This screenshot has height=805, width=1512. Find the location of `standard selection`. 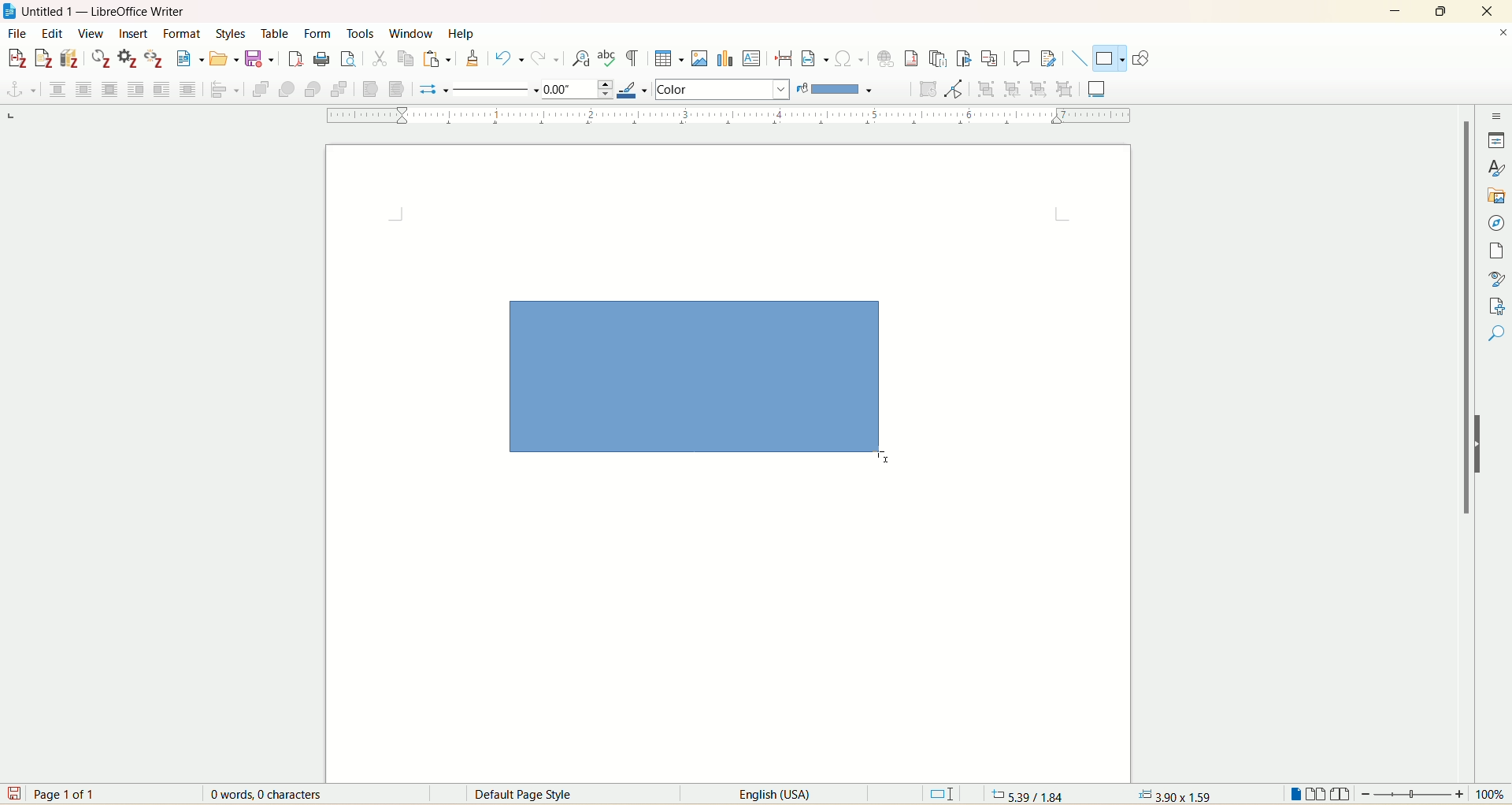

standard selection is located at coordinates (943, 793).